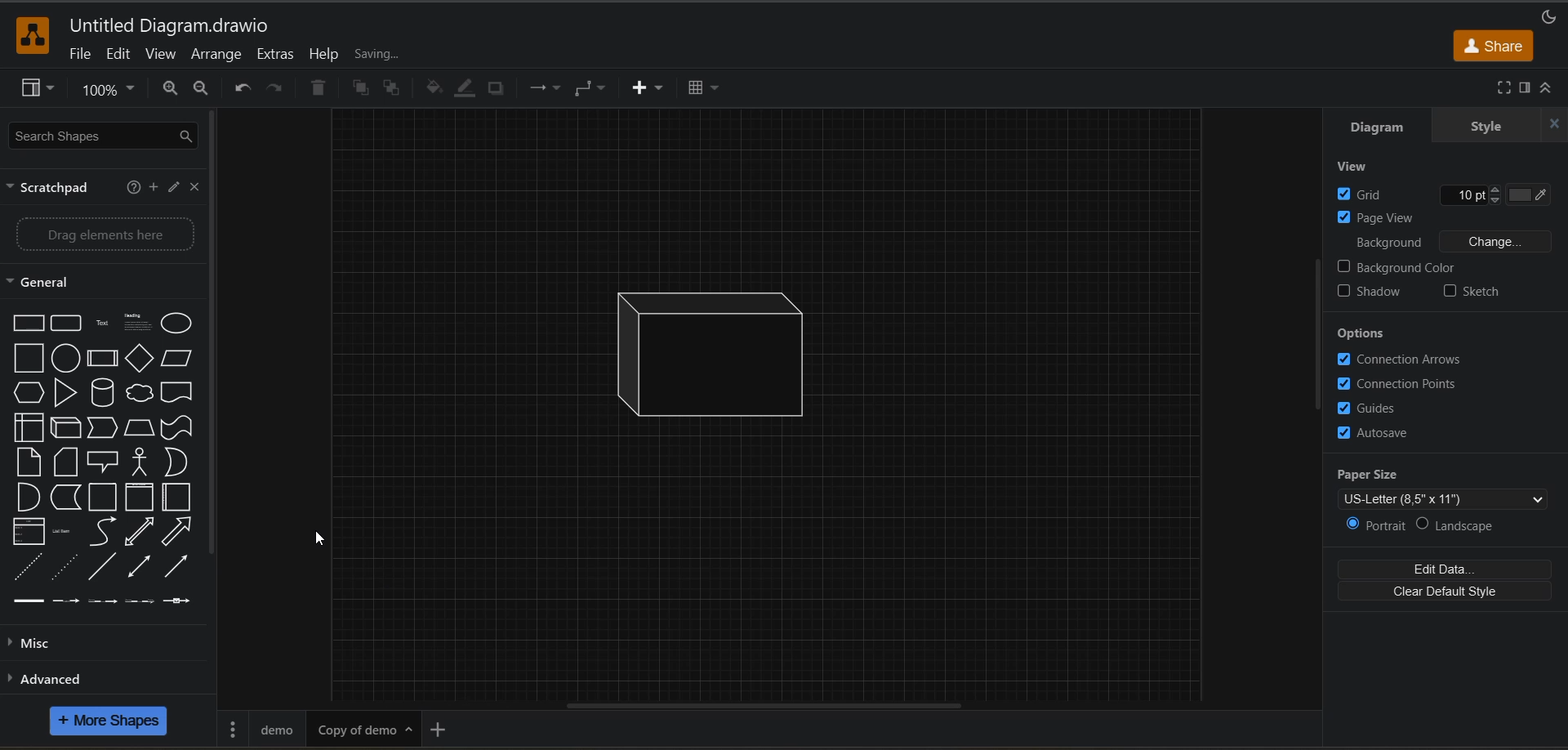 The height and width of the screenshot is (750, 1568). What do you see at coordinates (1468, 527) in the screenshot?
I see `landscape` at bounding box center [1468, 527].